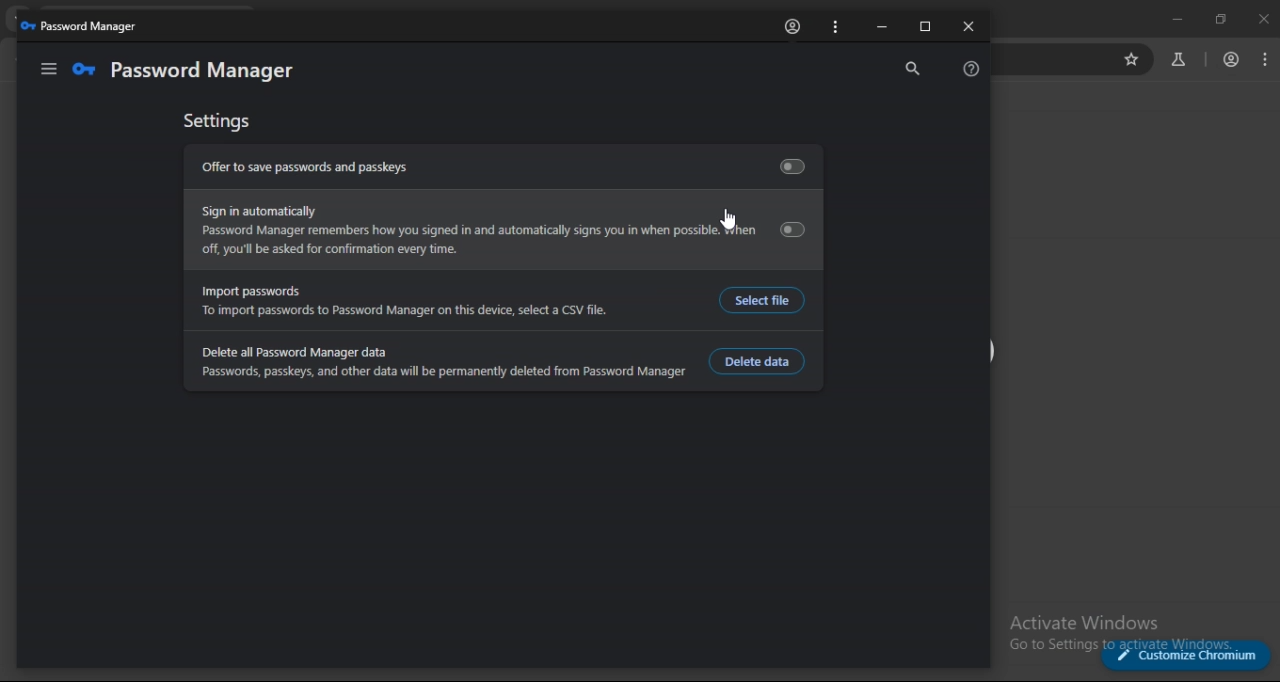 The image size is (1280, 682). Describe the element at coordinates (1131, 62) in the screenshot. I see `bookmark page` at that location.